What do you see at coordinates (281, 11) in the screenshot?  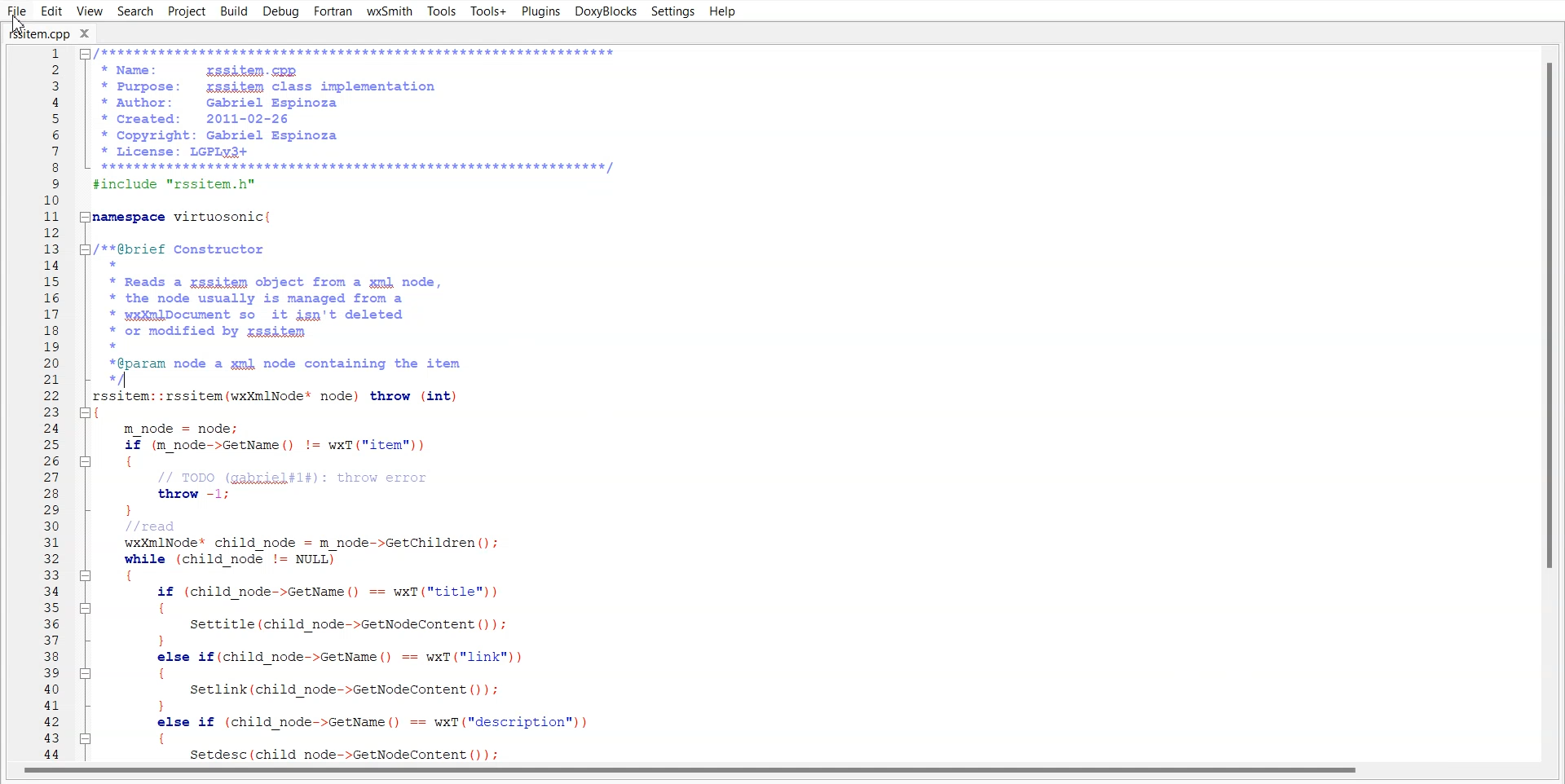 I see `Debug` at bounding box center [281, 11].